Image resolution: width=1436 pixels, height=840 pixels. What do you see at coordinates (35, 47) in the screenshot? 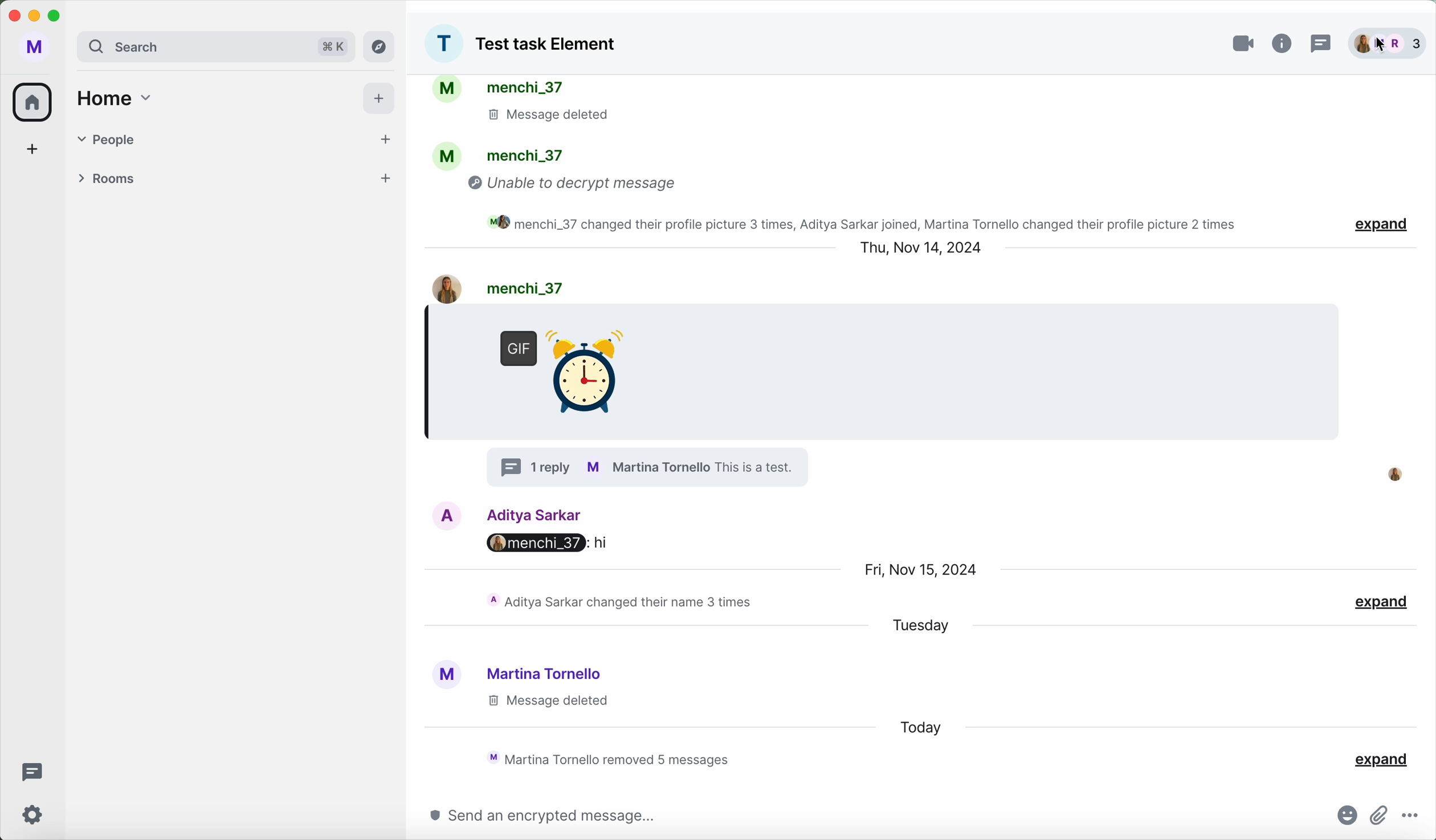
I see `user profile` at bounding box center [35, 47].